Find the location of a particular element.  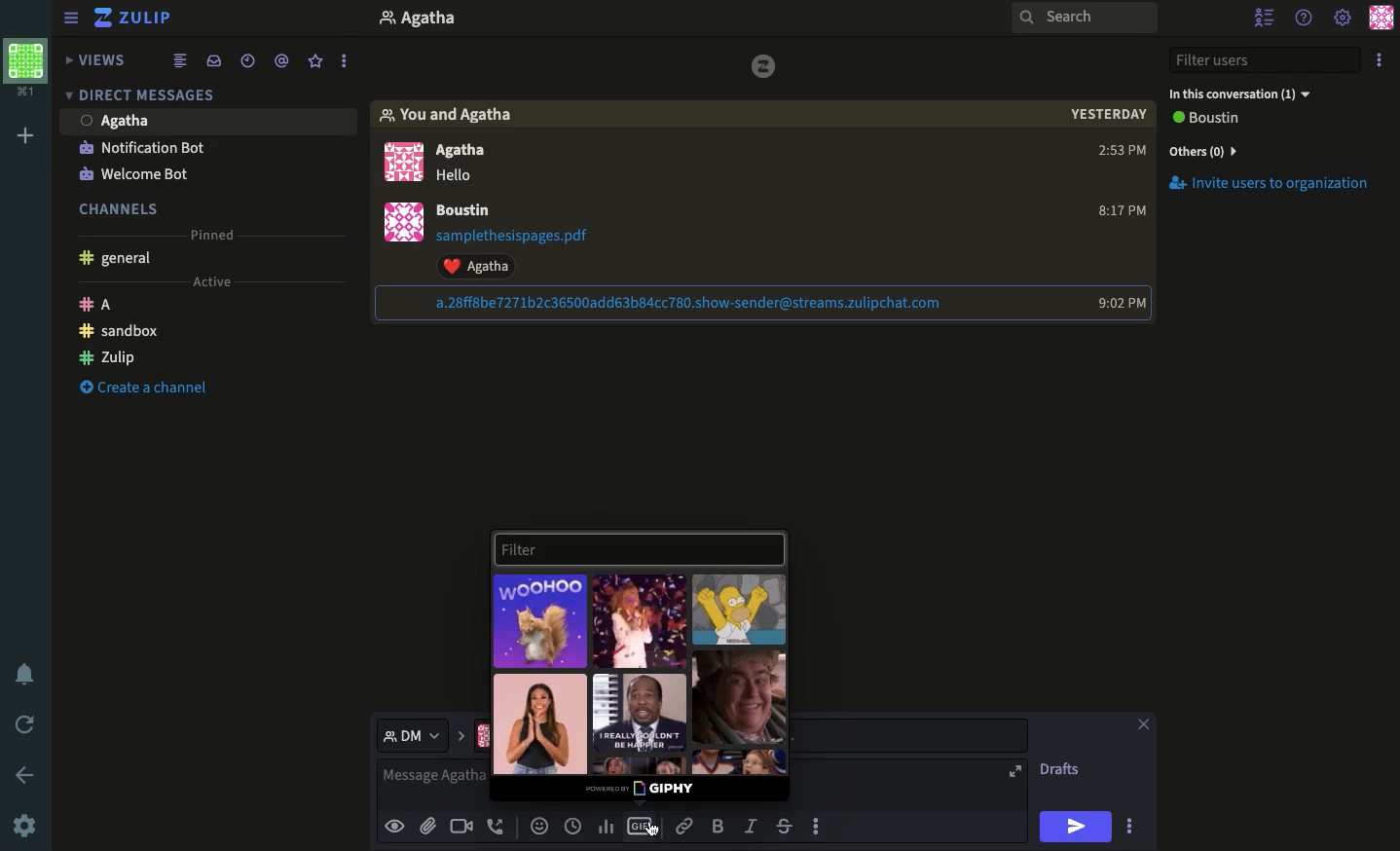

logo is located at coordinates (761, 67).